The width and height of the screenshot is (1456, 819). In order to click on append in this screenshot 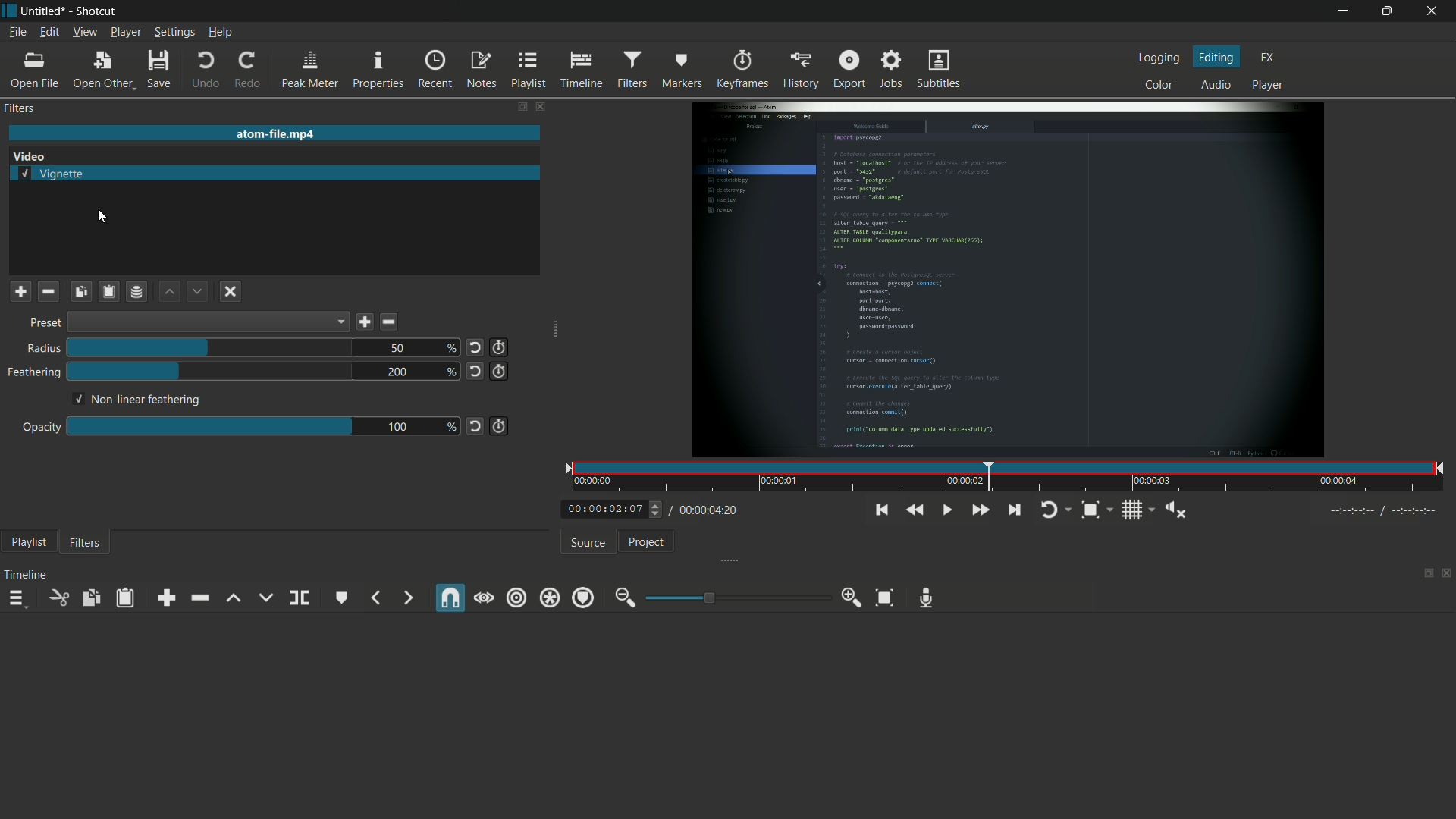, I will do `click(165, 598)`.